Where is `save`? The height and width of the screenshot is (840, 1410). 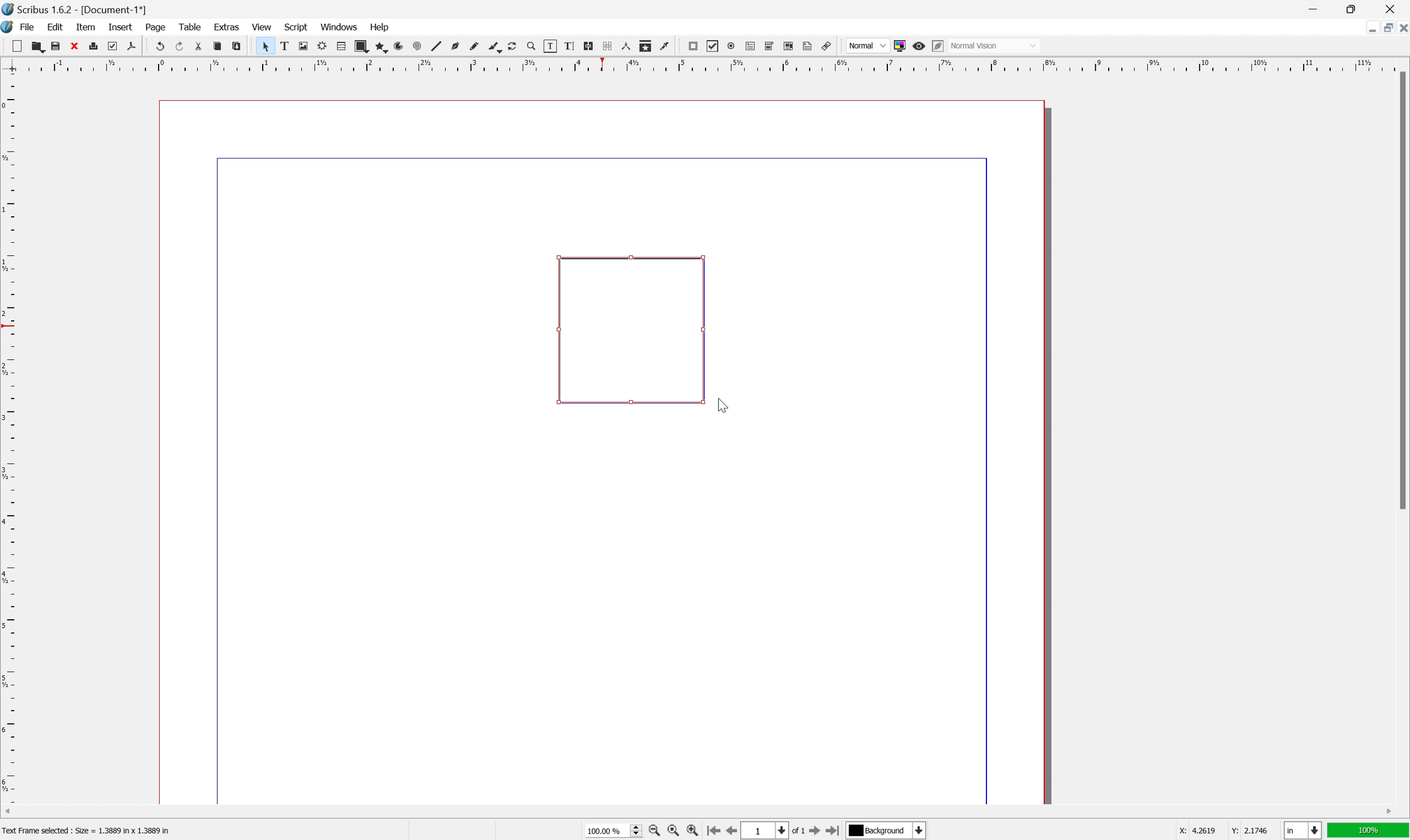 save is located at coordinates (56, 46).